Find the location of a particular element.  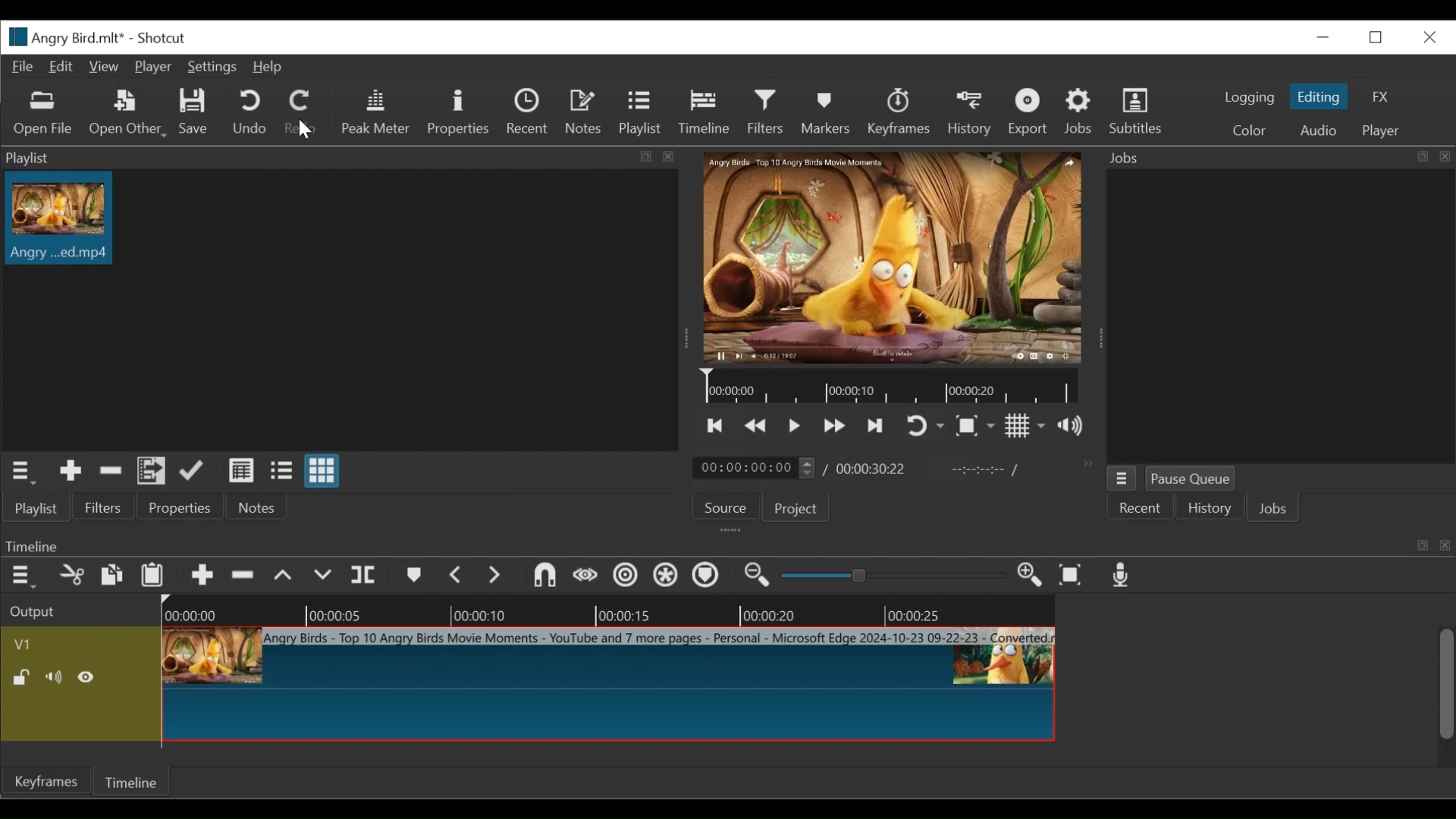

Timeline is located at coordinates (134, 780).